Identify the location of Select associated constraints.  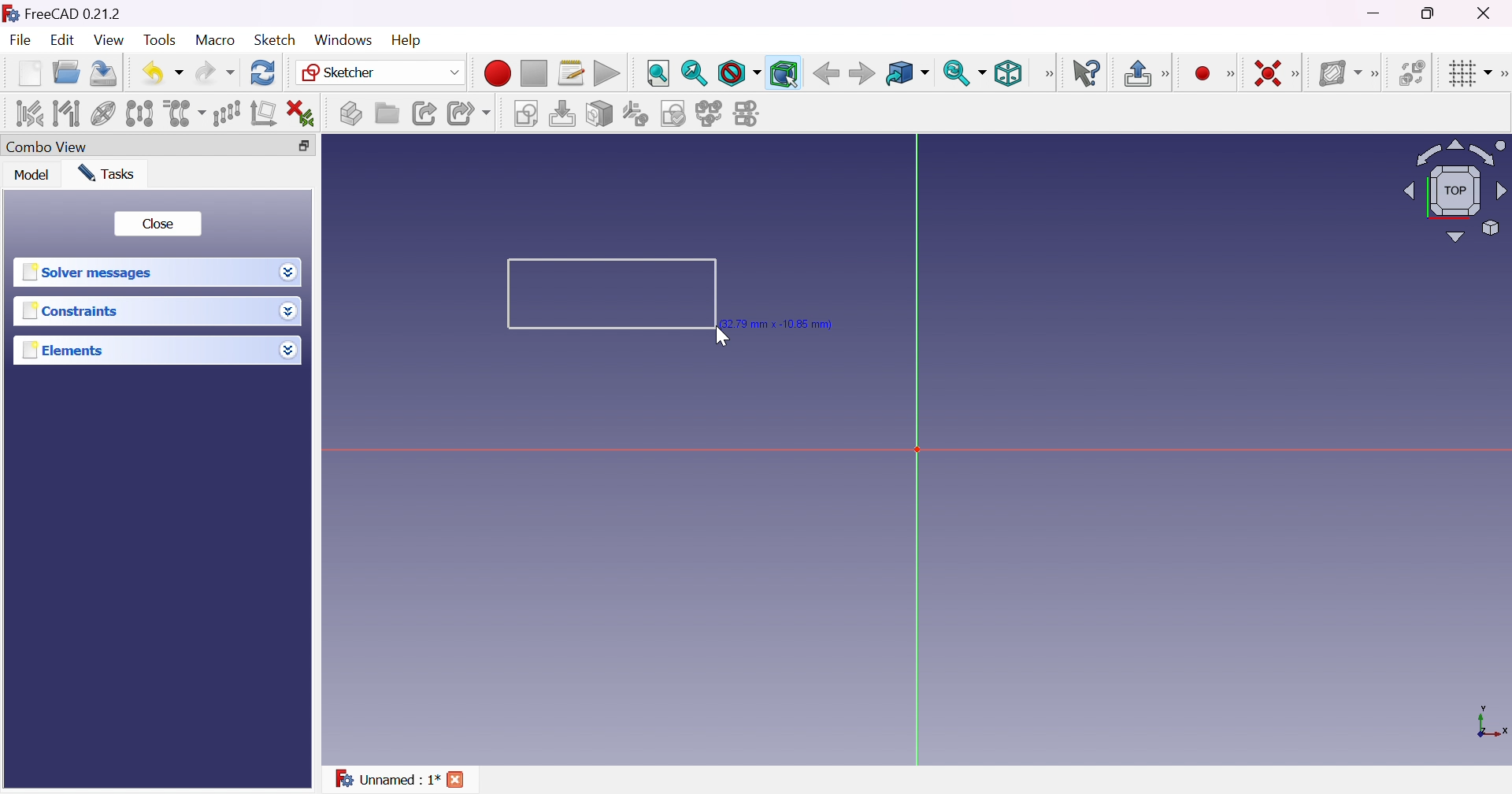
(29, 113).